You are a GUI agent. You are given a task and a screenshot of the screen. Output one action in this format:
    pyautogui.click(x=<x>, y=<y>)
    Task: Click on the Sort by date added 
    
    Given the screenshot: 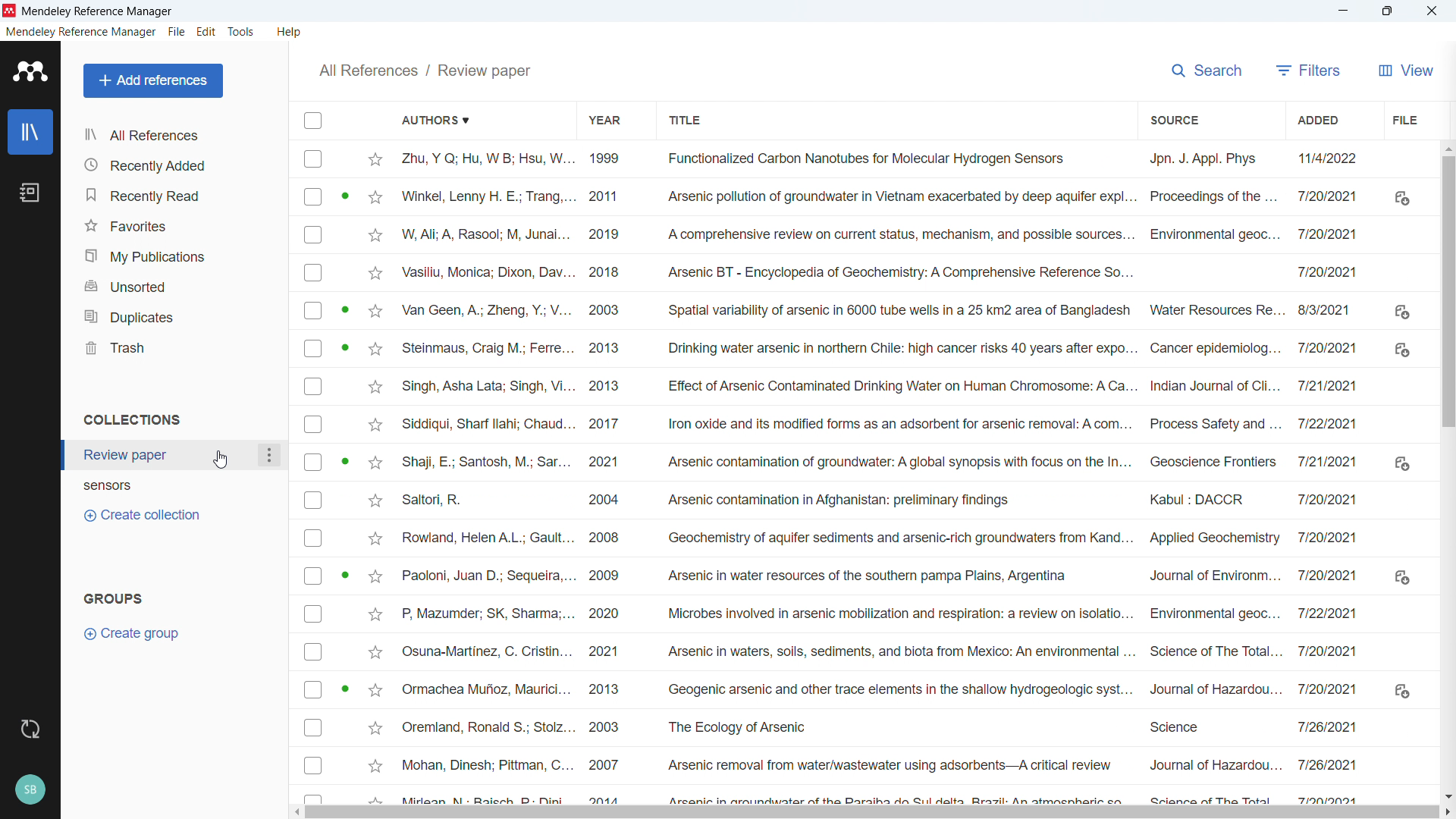 What is the action you would take?
    pyautogui.click(x=1319, y=120)
    